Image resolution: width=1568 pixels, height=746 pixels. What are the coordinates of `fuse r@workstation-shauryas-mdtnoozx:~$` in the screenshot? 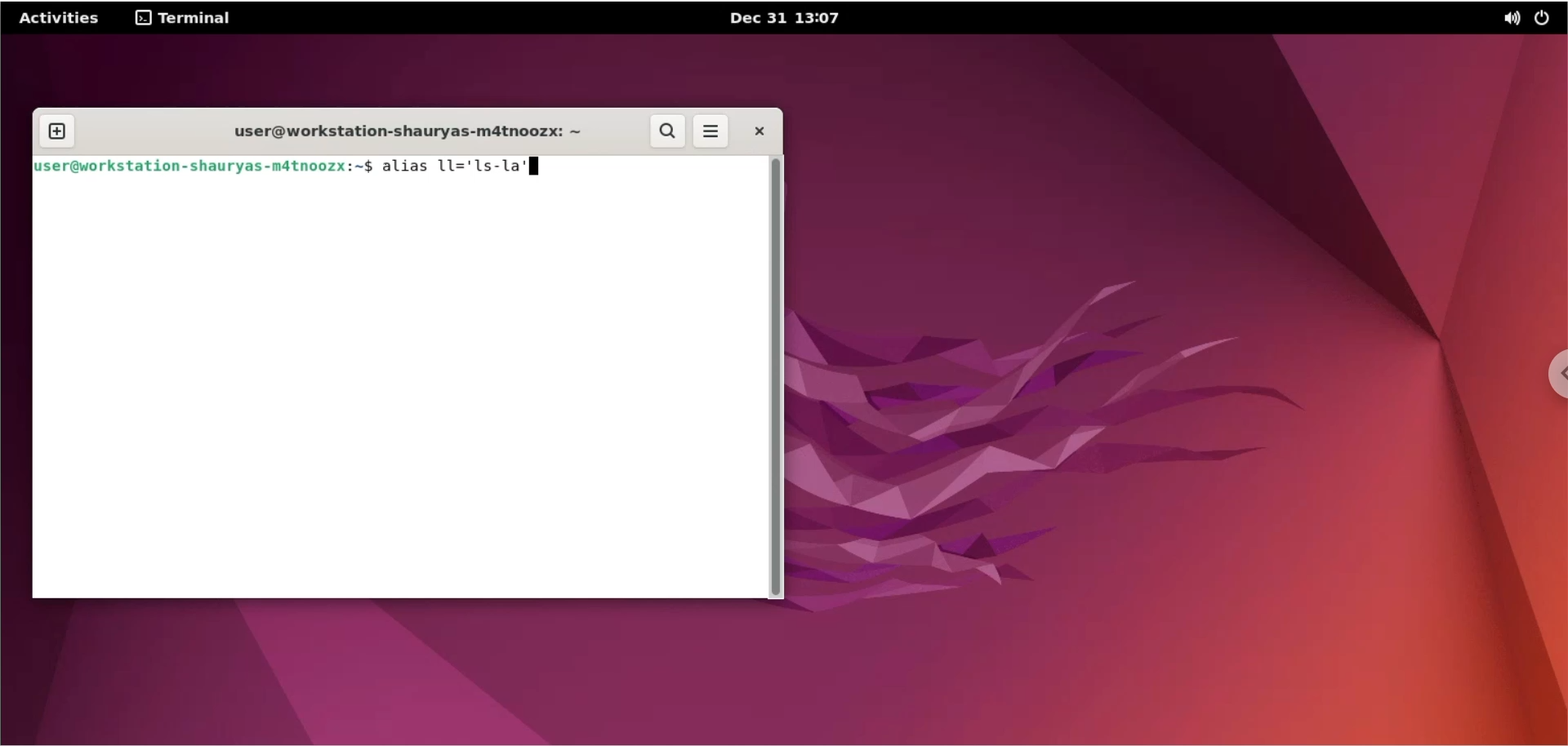 It's located at (203, 167).